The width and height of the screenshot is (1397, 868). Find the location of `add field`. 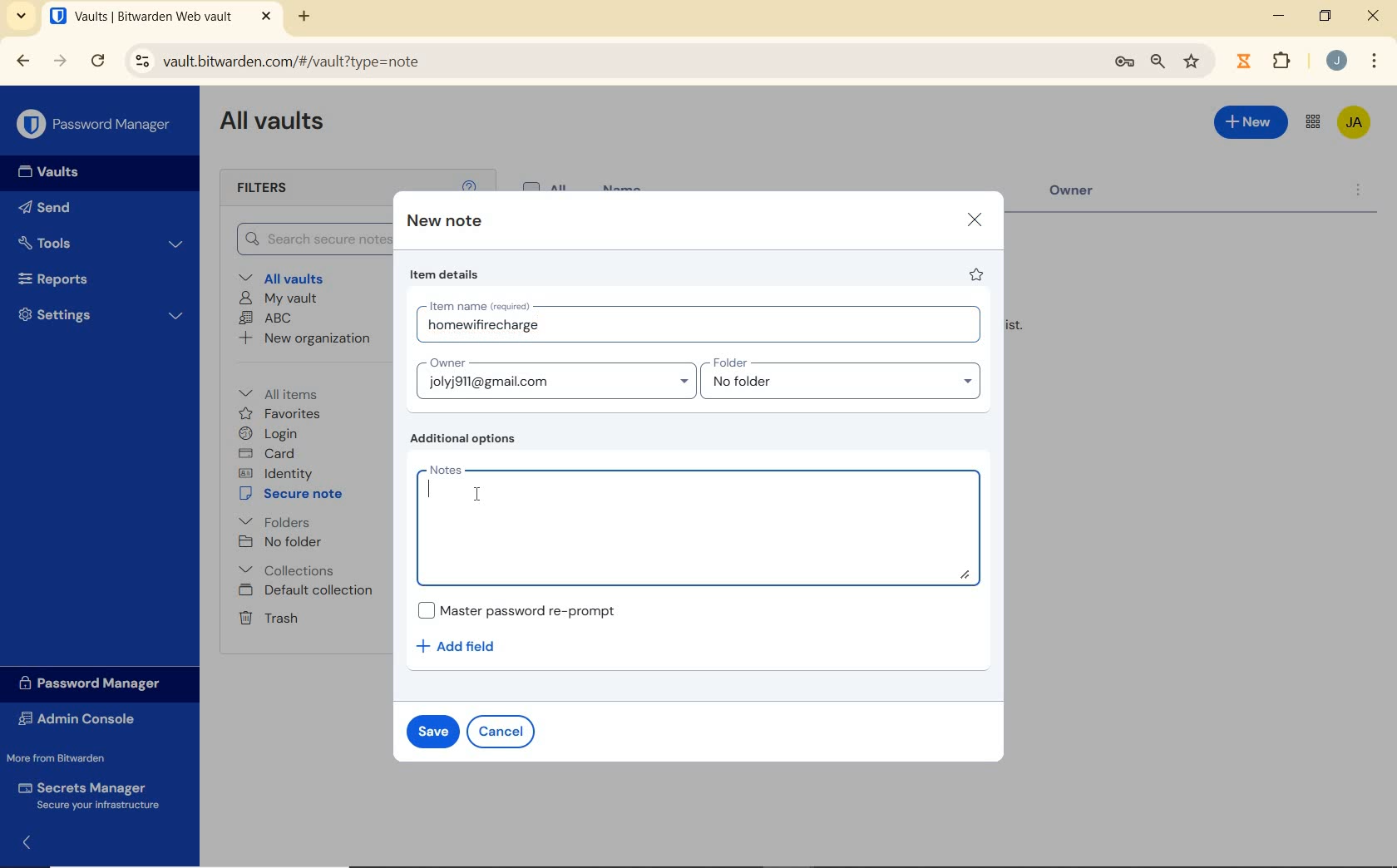

add field is located at coordinates (467, 647).